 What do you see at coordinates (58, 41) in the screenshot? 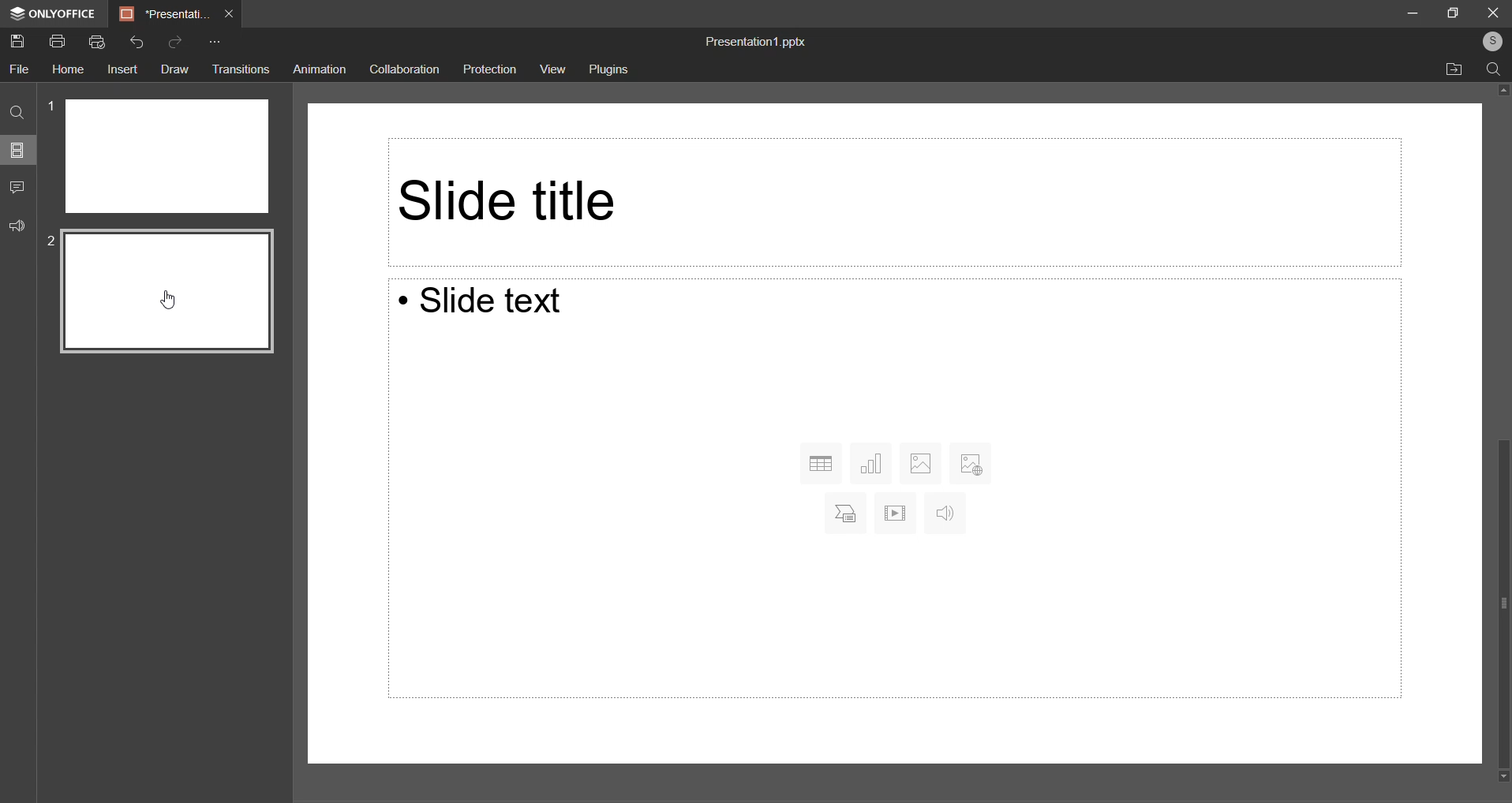
I see `Print` at bounding box center [58, 41].